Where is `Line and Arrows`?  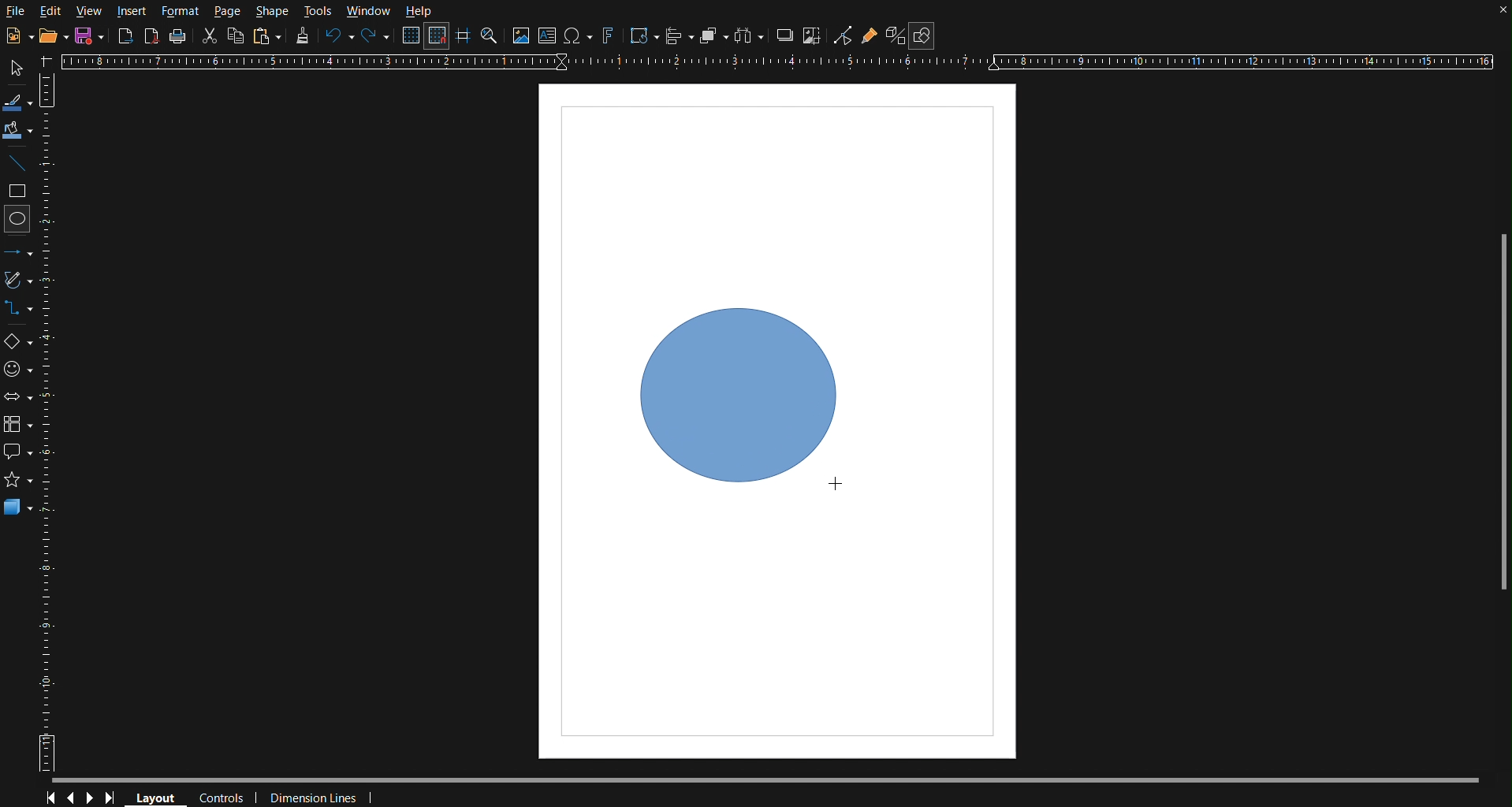 Line and Arrows is located at coordinates (18, 252).